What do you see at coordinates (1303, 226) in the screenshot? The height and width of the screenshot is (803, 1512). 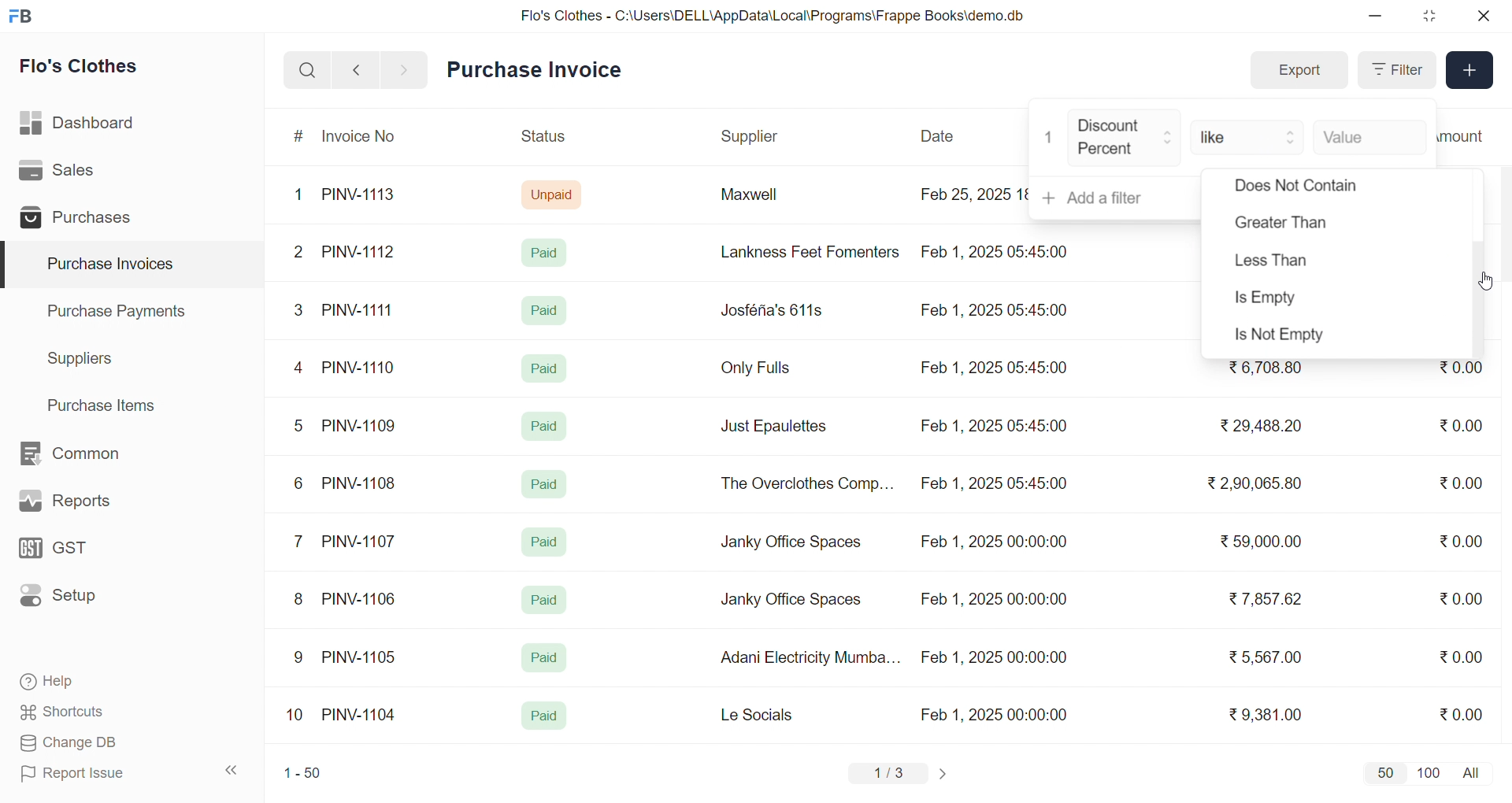 I see `Greater Than` at bounding box center [1303, 226].